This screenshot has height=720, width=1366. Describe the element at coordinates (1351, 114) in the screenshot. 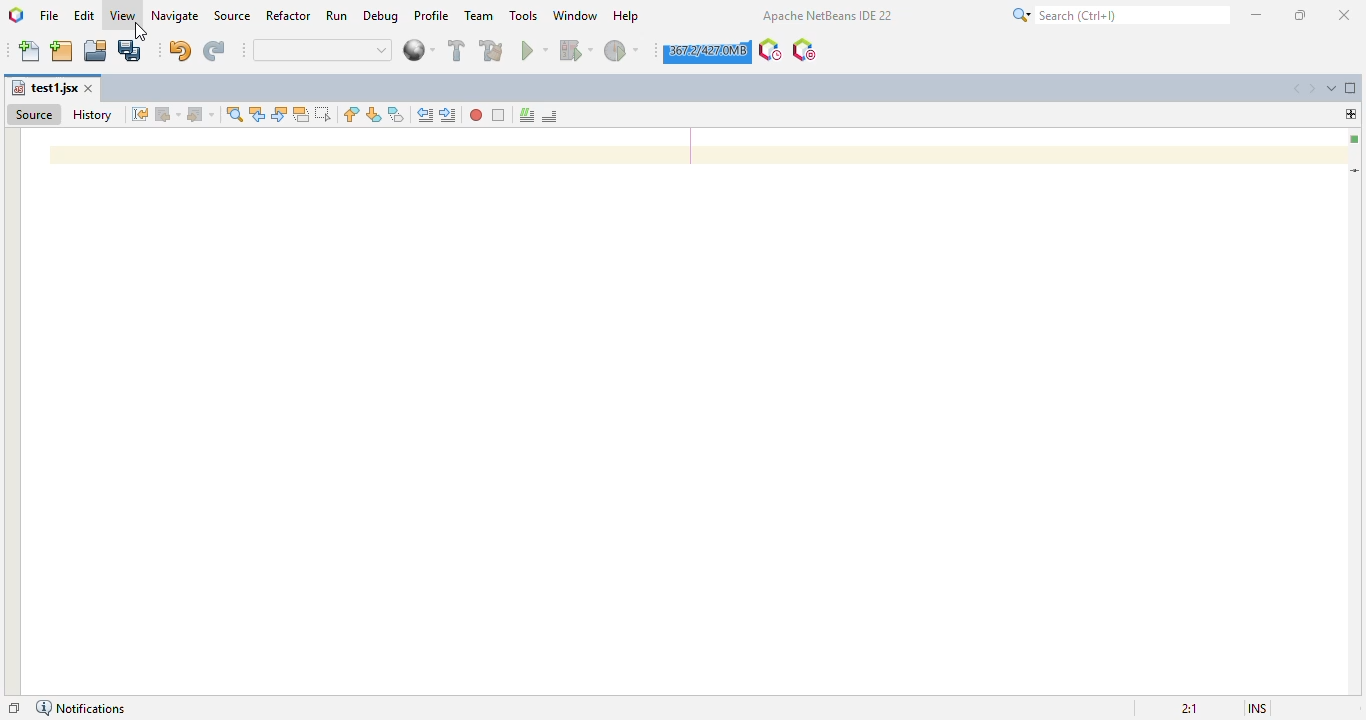

I see `drag me to split this window horizontally or vertically` at that location.